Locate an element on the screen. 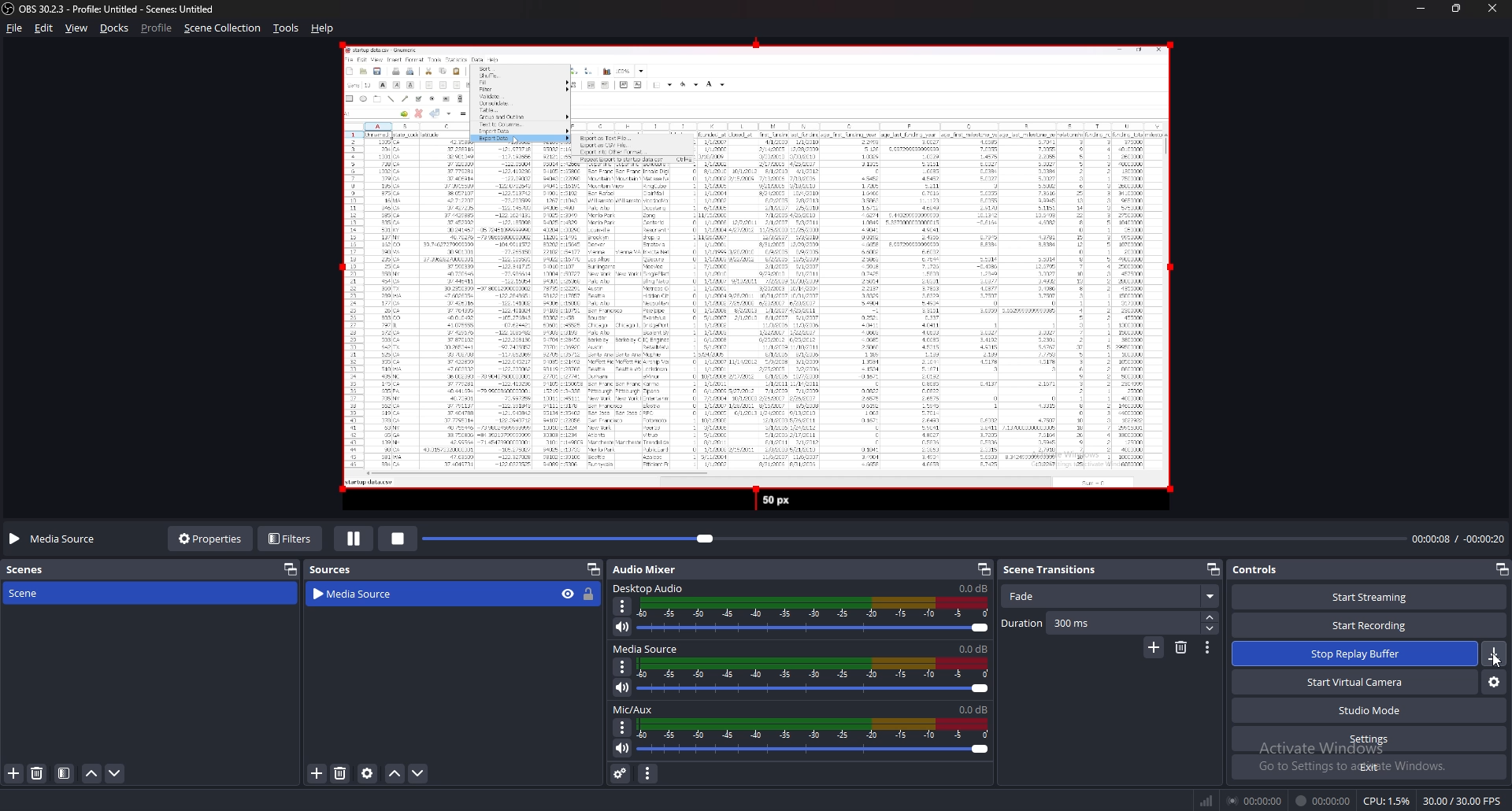 This screenshot has width=1512, height=811. scene transitions is located at coordinates (1060, 570).